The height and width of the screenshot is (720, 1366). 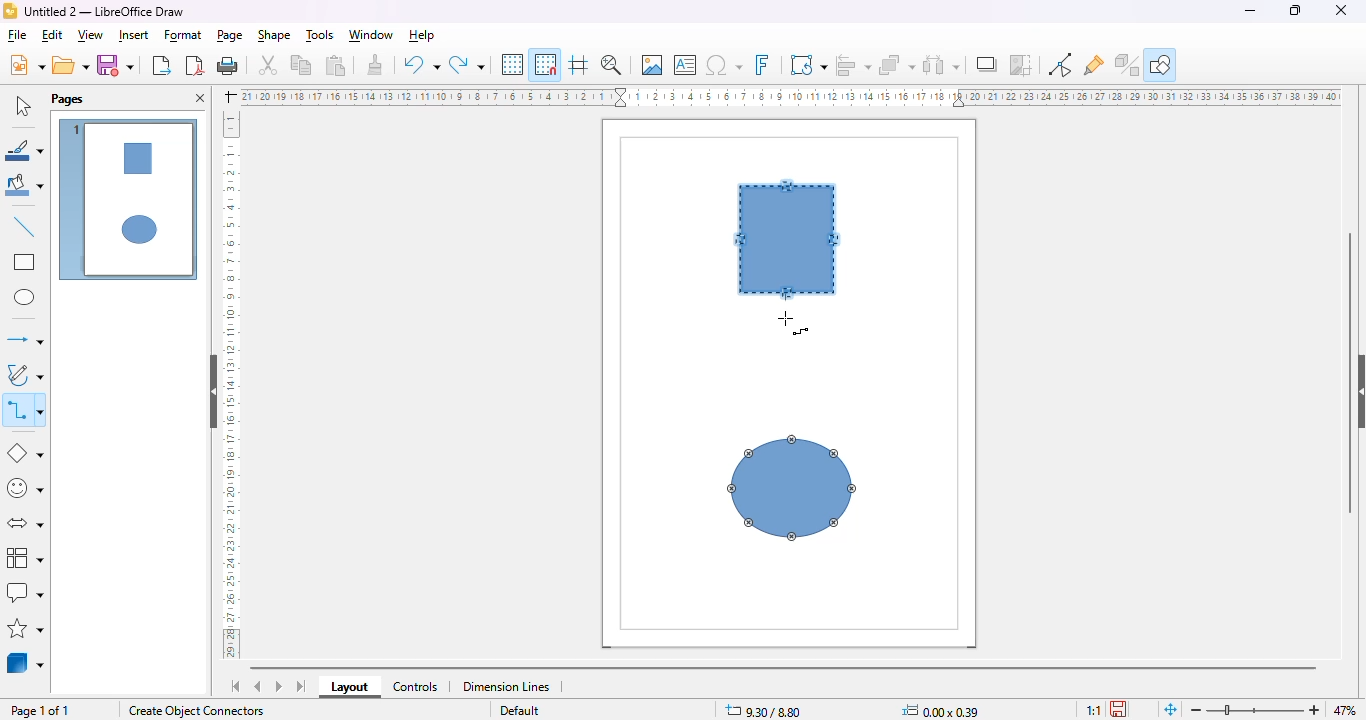 I want to click on edit, so click(x=53, y=36).